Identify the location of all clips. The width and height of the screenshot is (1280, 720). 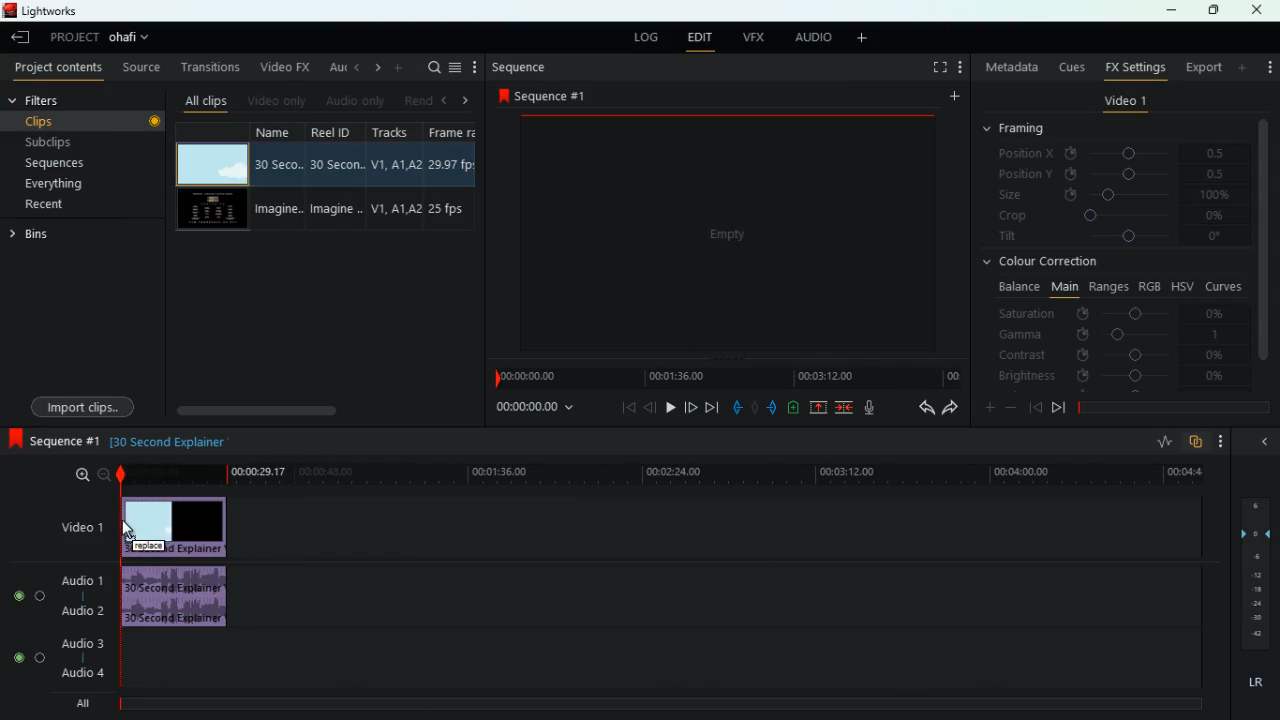
(206, 100).